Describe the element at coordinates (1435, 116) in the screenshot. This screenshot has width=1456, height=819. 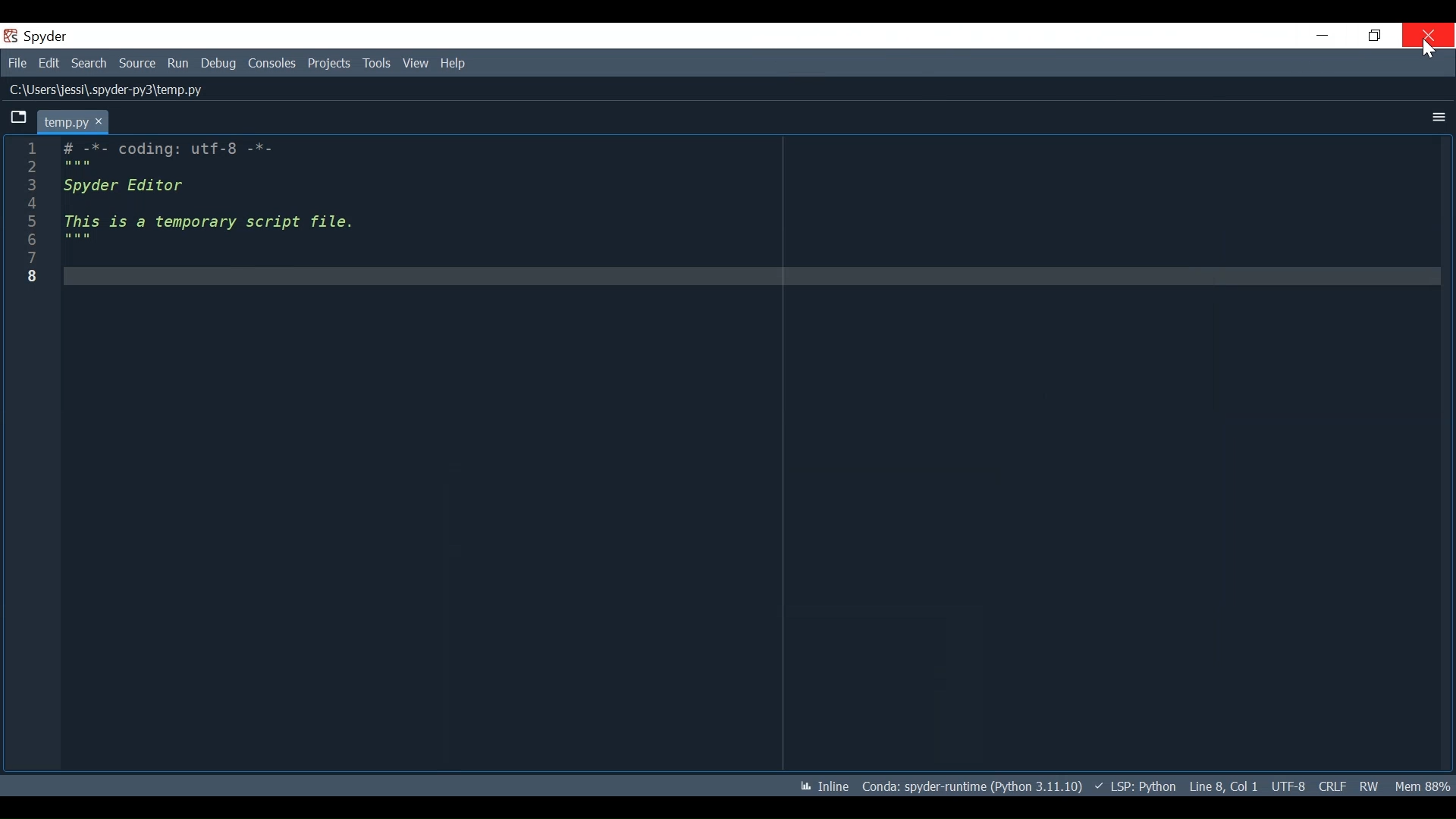
I see `More Optins` at that location.